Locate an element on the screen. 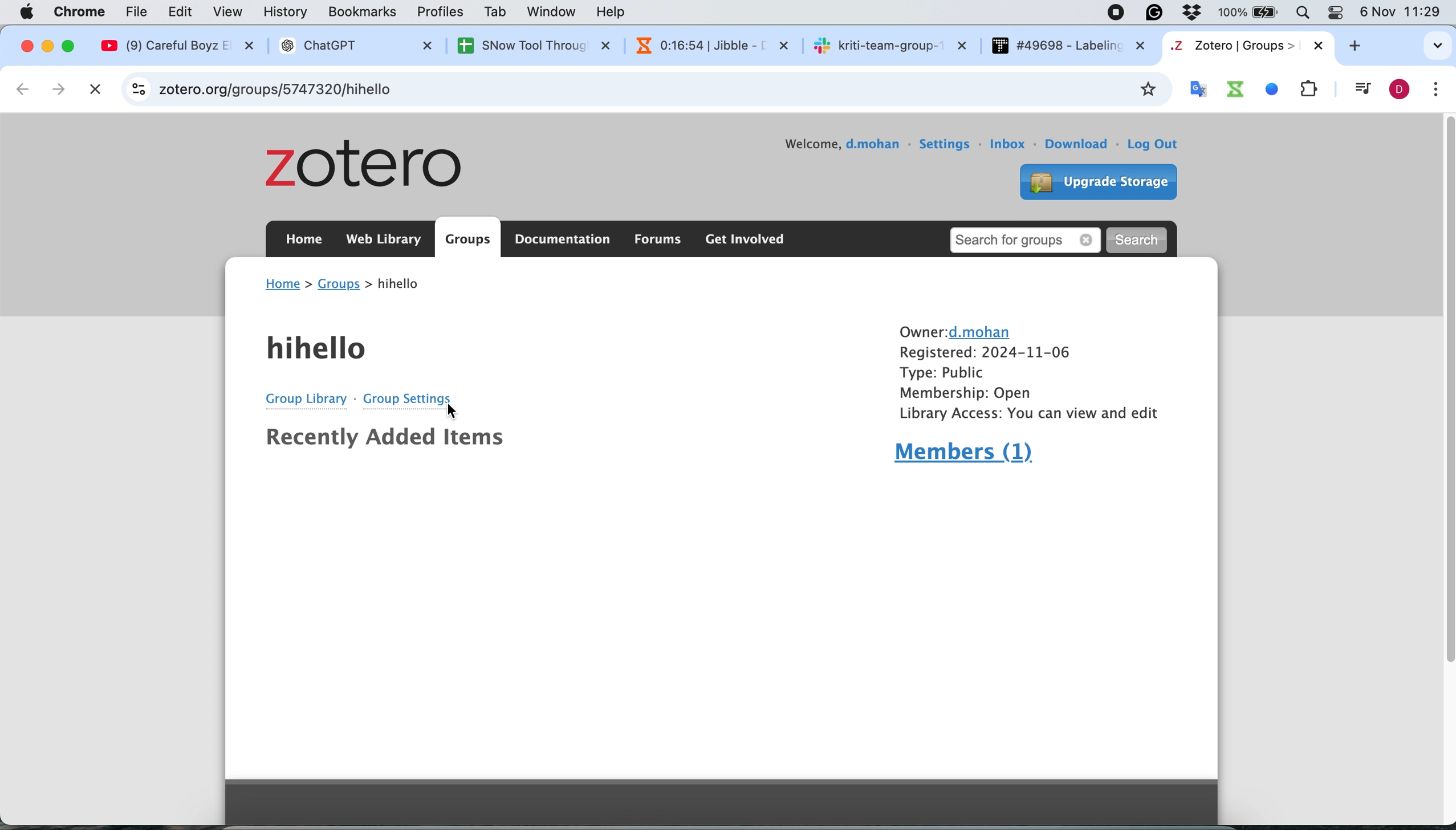 This screenshot has width=1456, height=830. forums is located at coordinates (654, 240).